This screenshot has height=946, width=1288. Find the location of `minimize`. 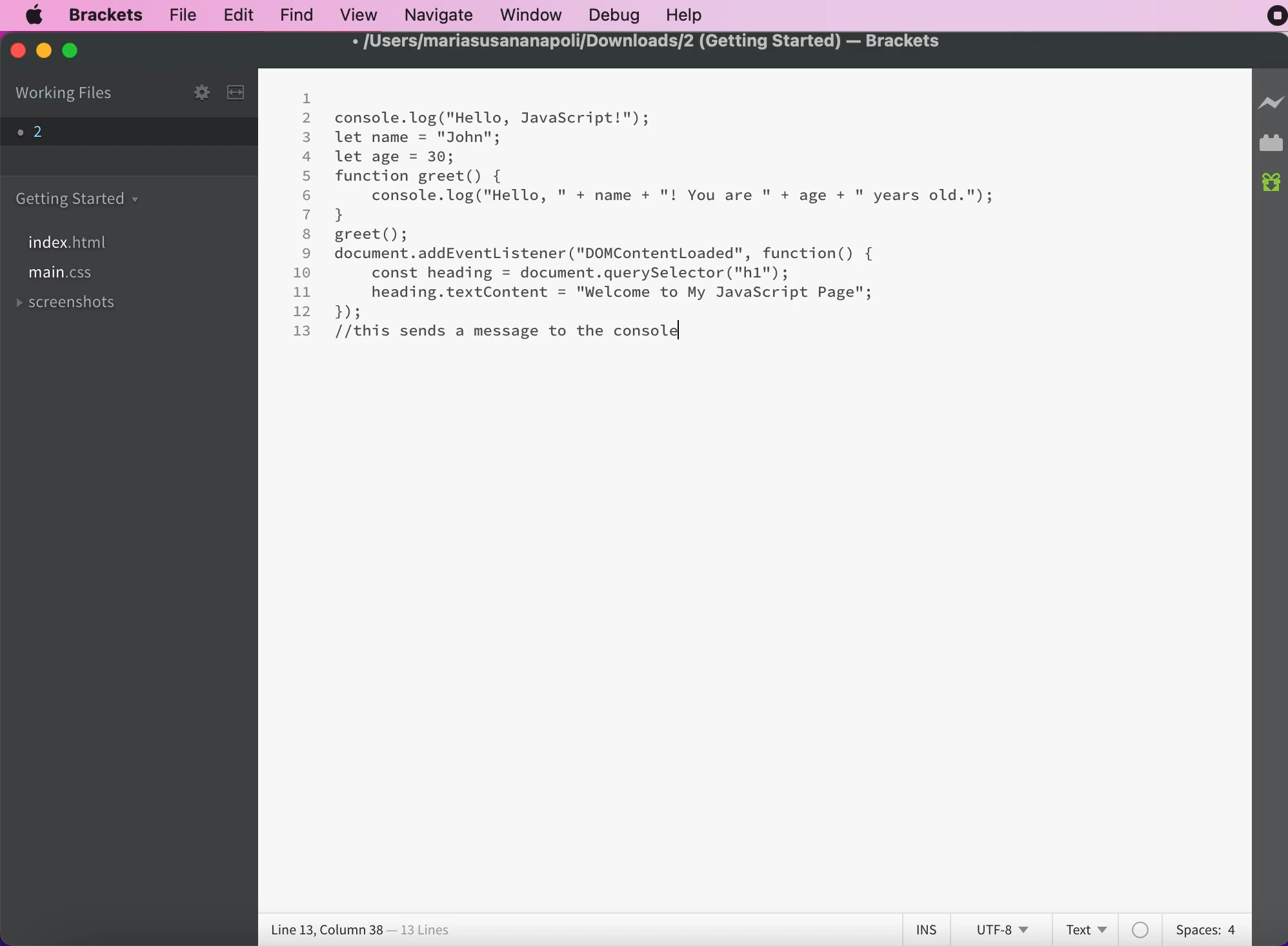

minimize is located at coordinates (43, 51).